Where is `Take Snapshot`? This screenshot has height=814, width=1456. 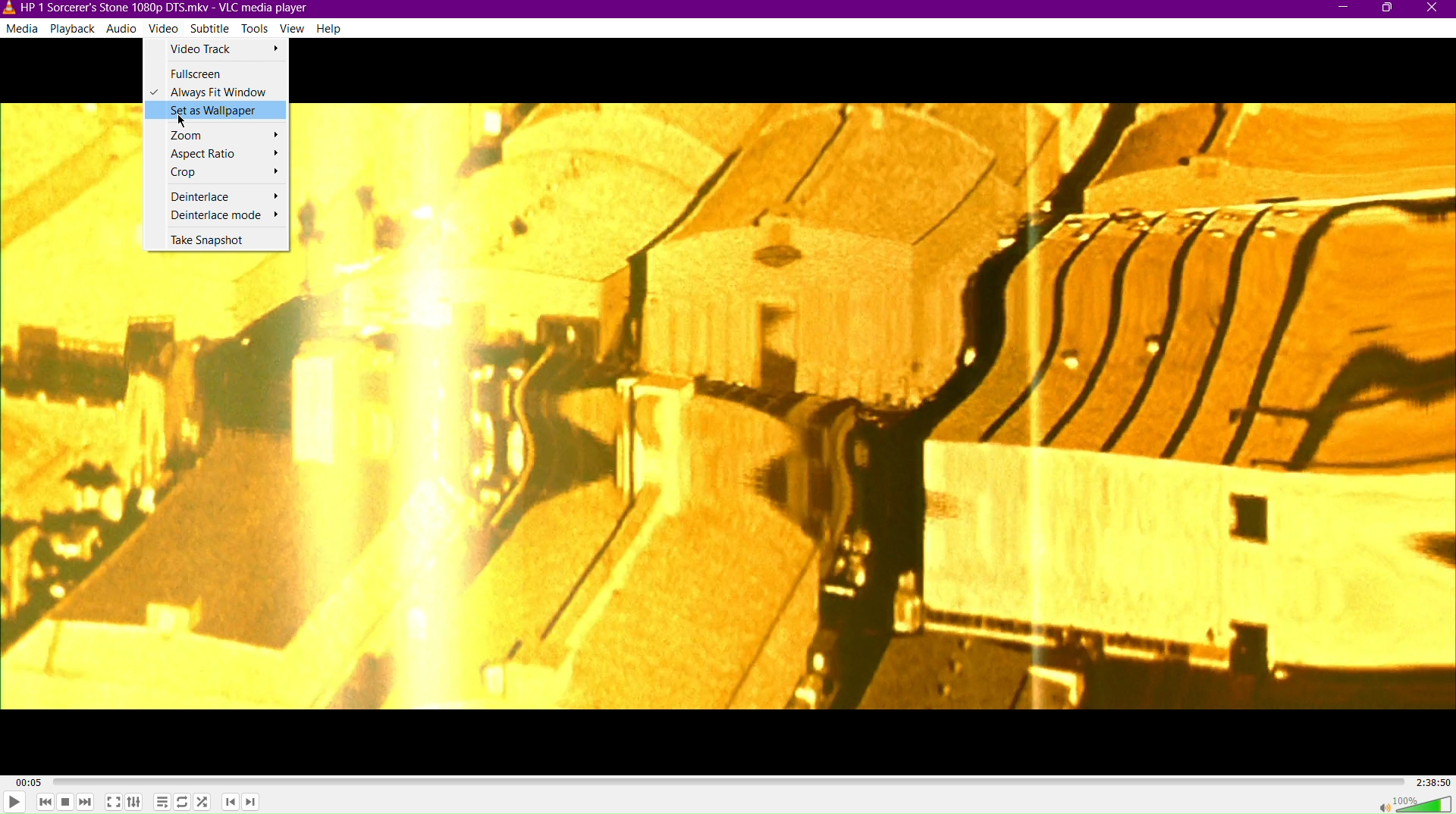
Take Snapshot is located at coordinates (218, 240).